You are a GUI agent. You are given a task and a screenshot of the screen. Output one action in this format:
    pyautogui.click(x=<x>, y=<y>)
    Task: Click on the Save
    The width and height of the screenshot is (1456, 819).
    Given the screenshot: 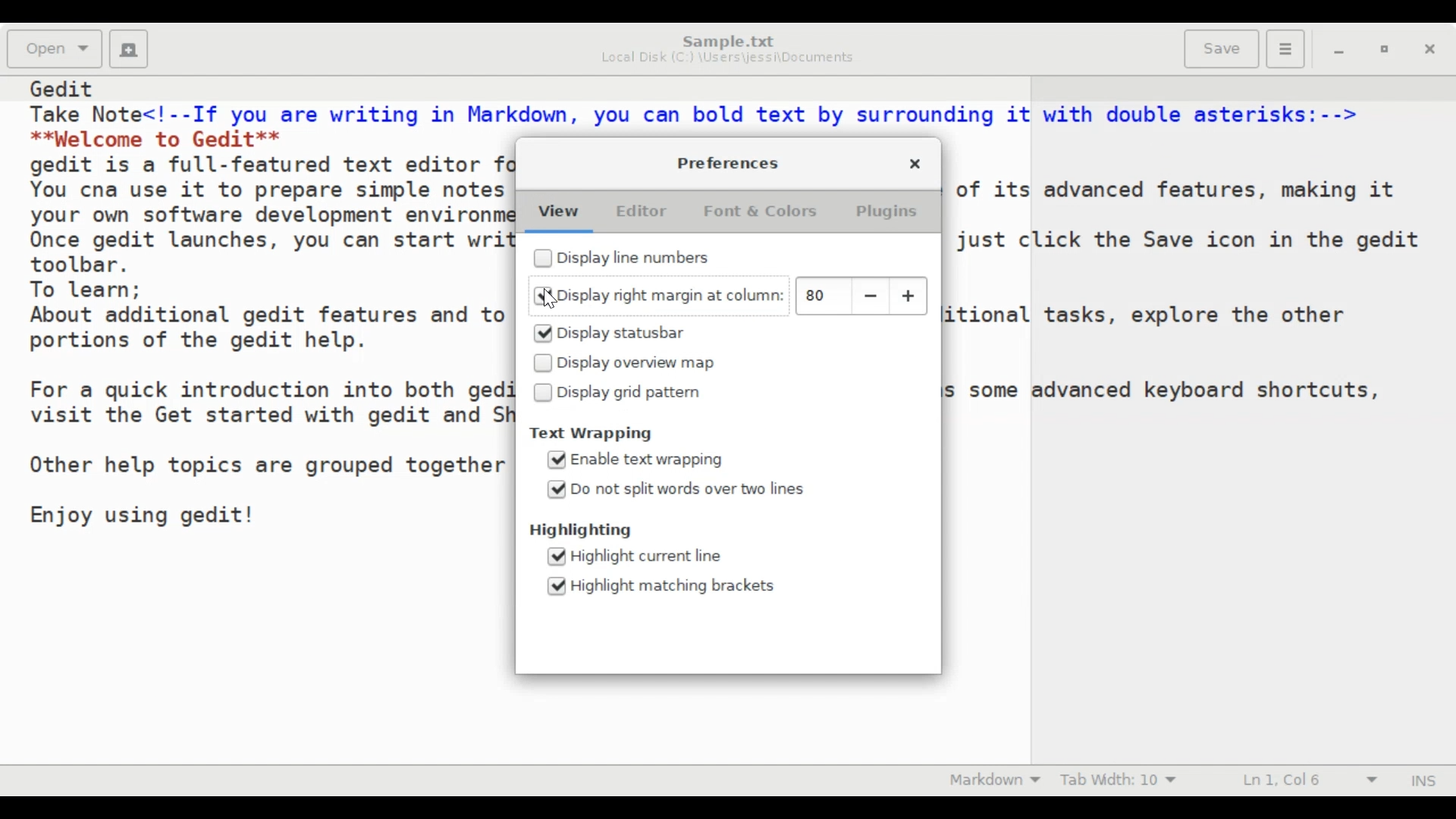 What is the action you would take?
    pyautogui.click(x=1221, y=50)
    